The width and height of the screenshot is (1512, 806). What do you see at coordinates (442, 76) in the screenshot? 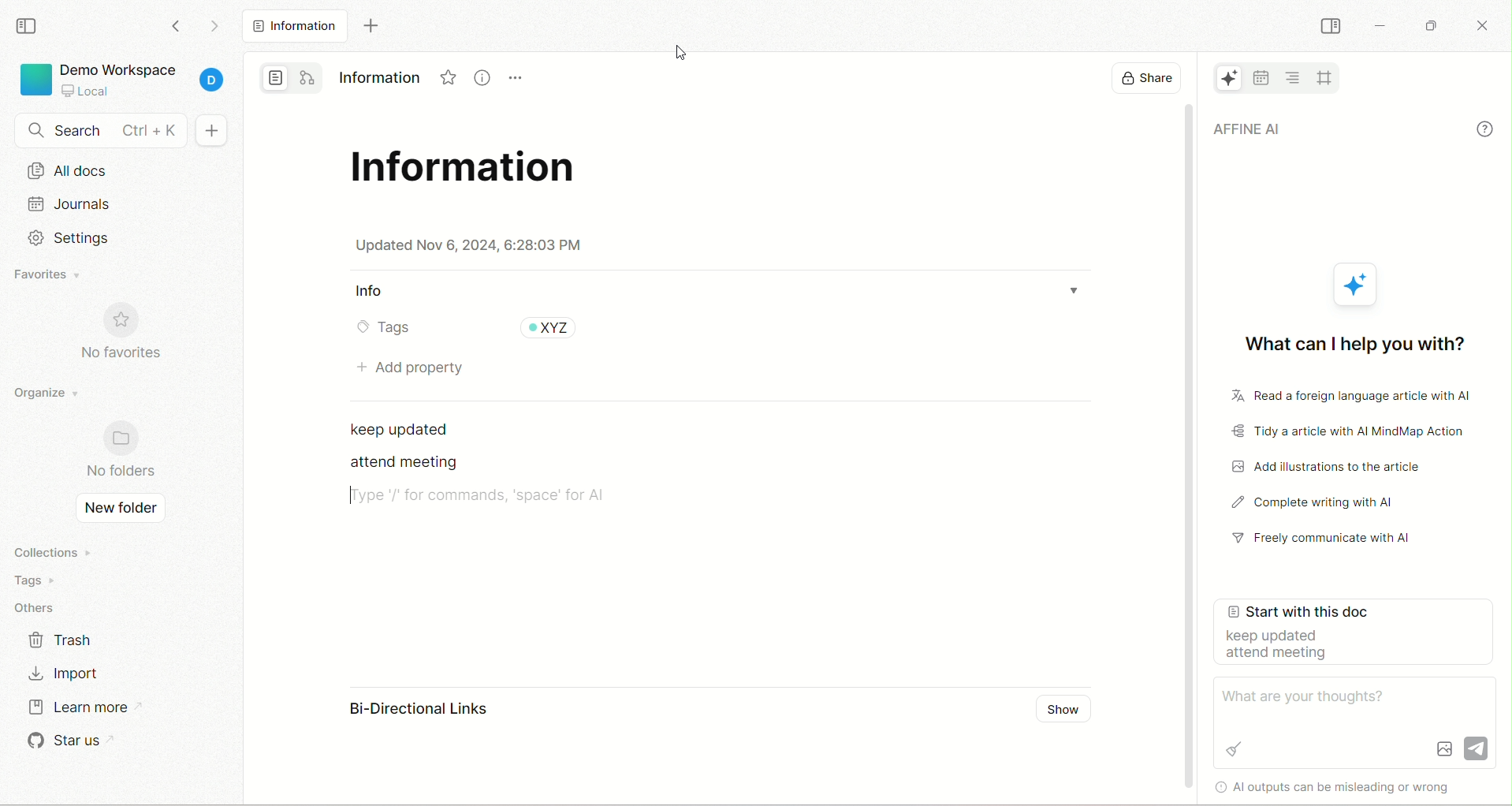
I see `Favorites` at bounding box center [442, 76].